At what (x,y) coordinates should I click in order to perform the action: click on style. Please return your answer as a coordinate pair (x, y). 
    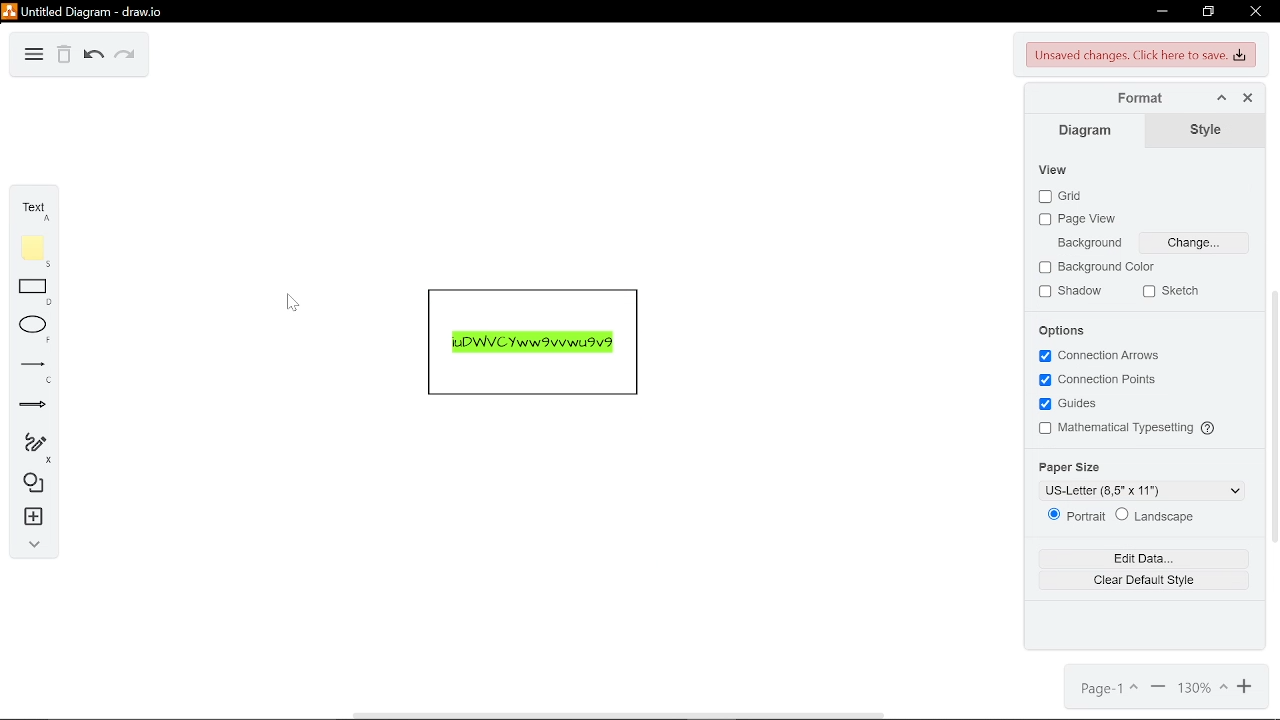
    Looking at the image, I should click on (1208, 130).